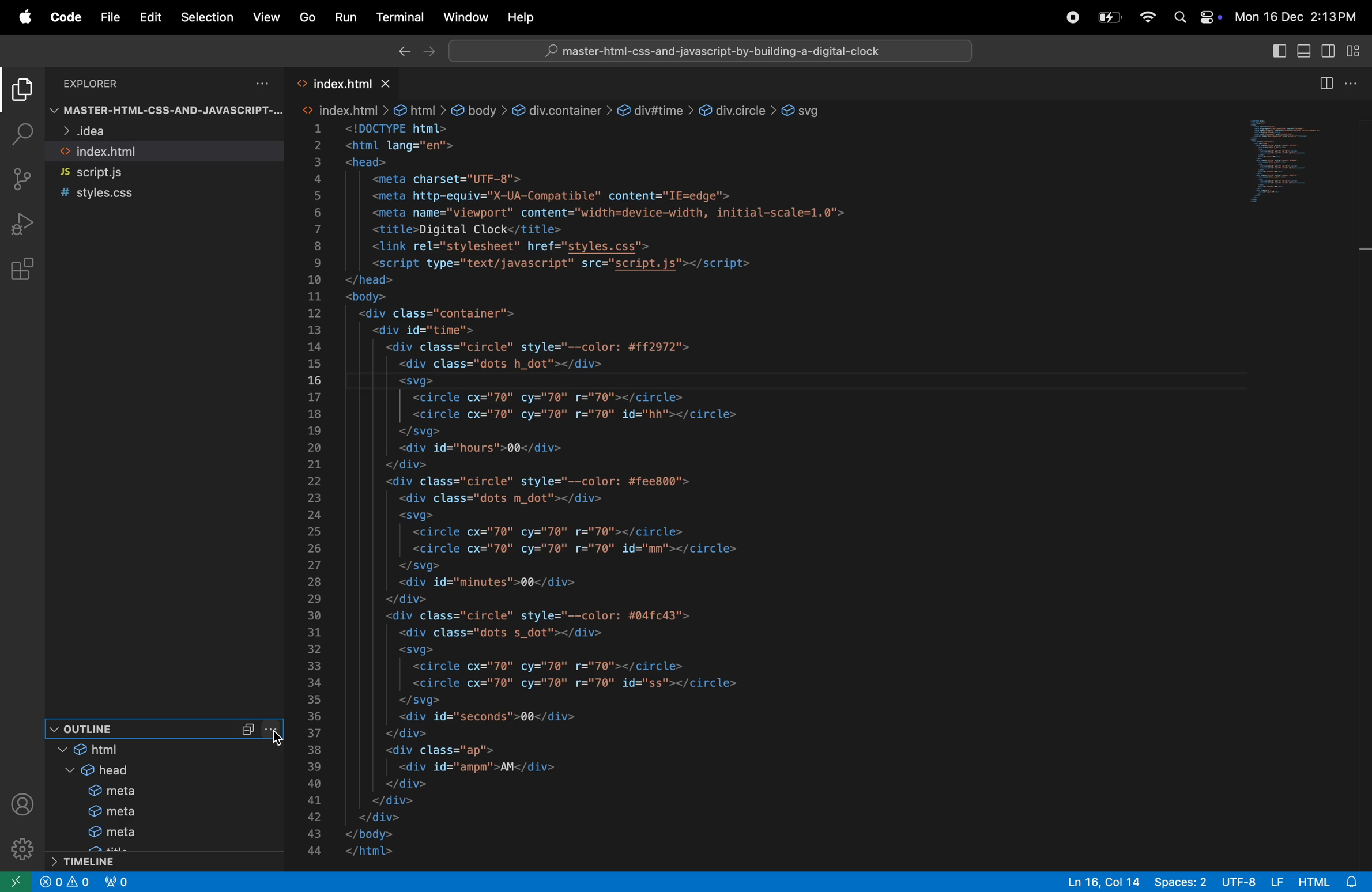 The height and width of the screenshot is (892, 1372). I want to click on Run, so click(345, 17).